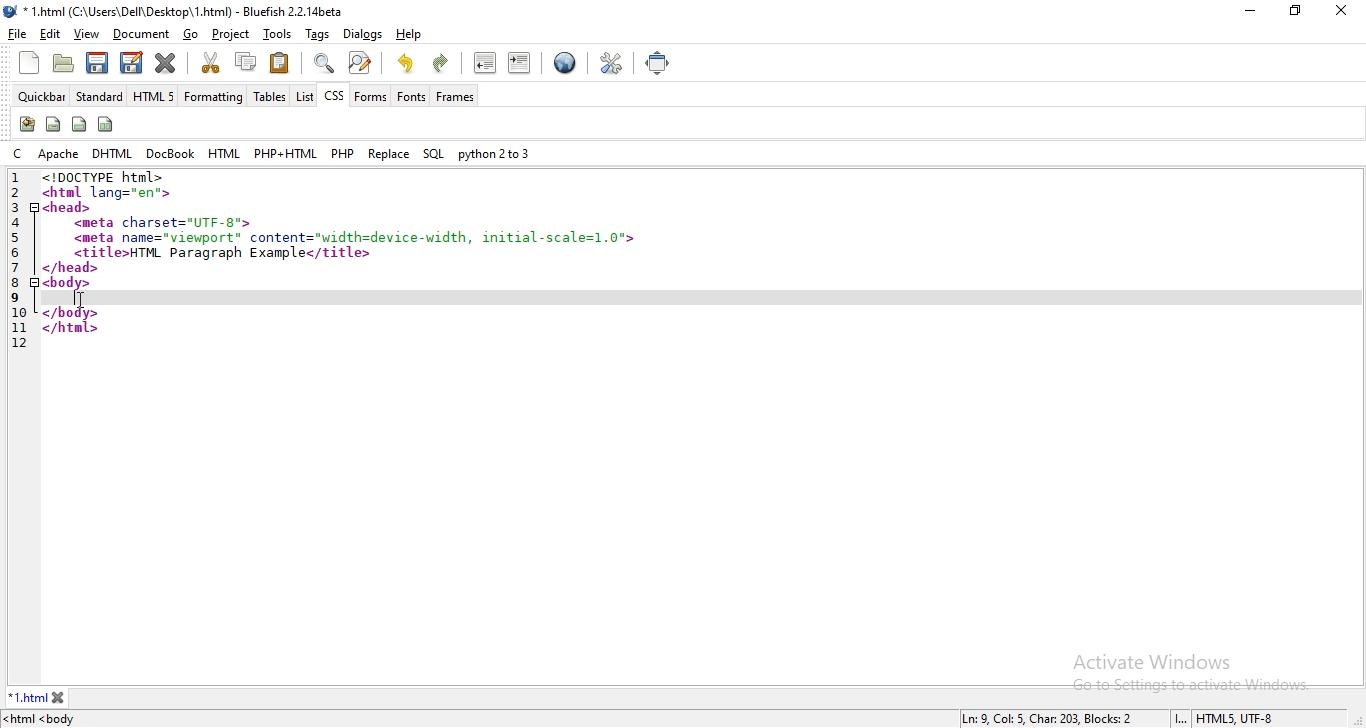  What do you see at coordinates (365, 36) in the screenshot?
I see `dialogs` at bounding box center [365, 36].